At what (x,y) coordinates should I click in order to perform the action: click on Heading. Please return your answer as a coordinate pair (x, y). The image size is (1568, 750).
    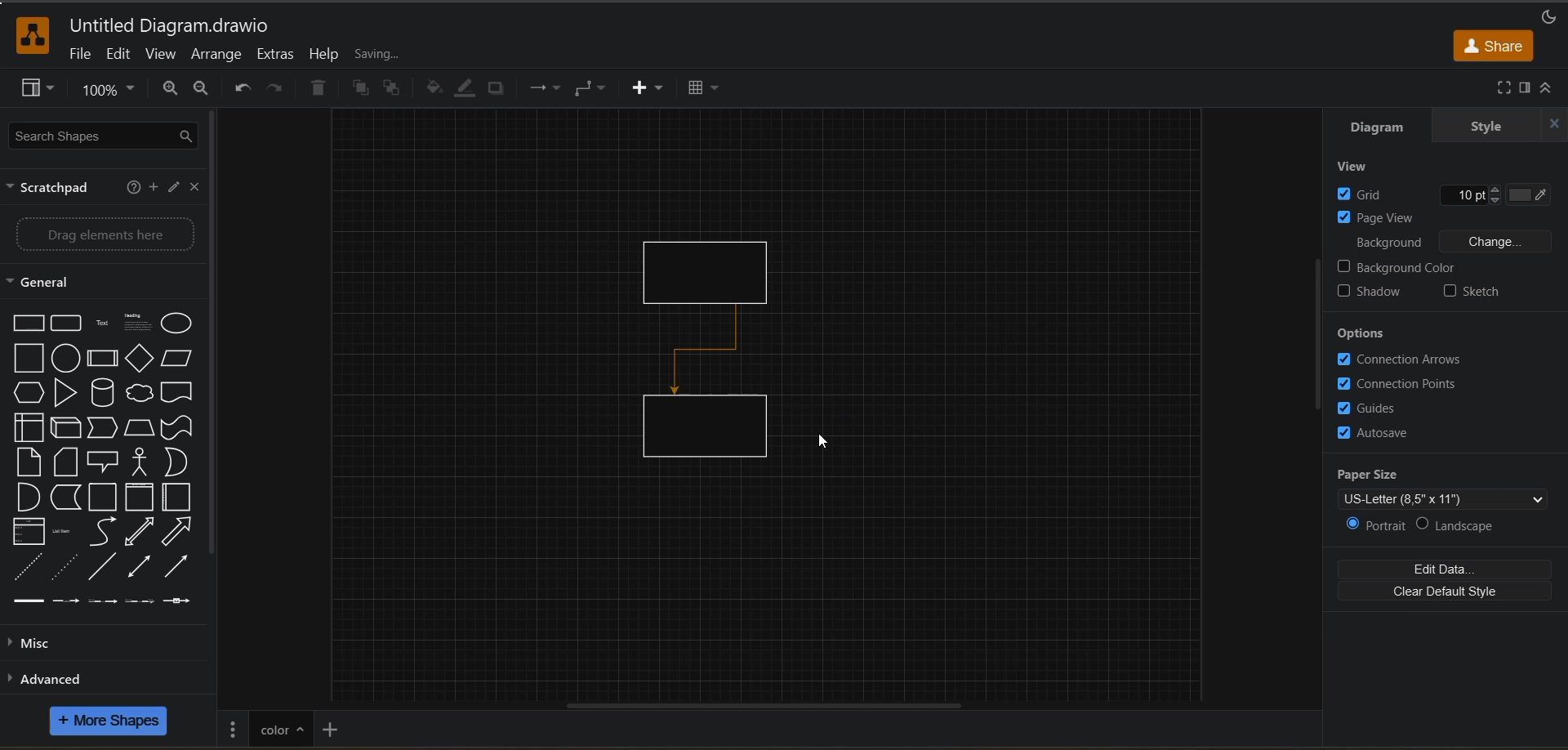
    Looking at the image, I should click on (139, 323).